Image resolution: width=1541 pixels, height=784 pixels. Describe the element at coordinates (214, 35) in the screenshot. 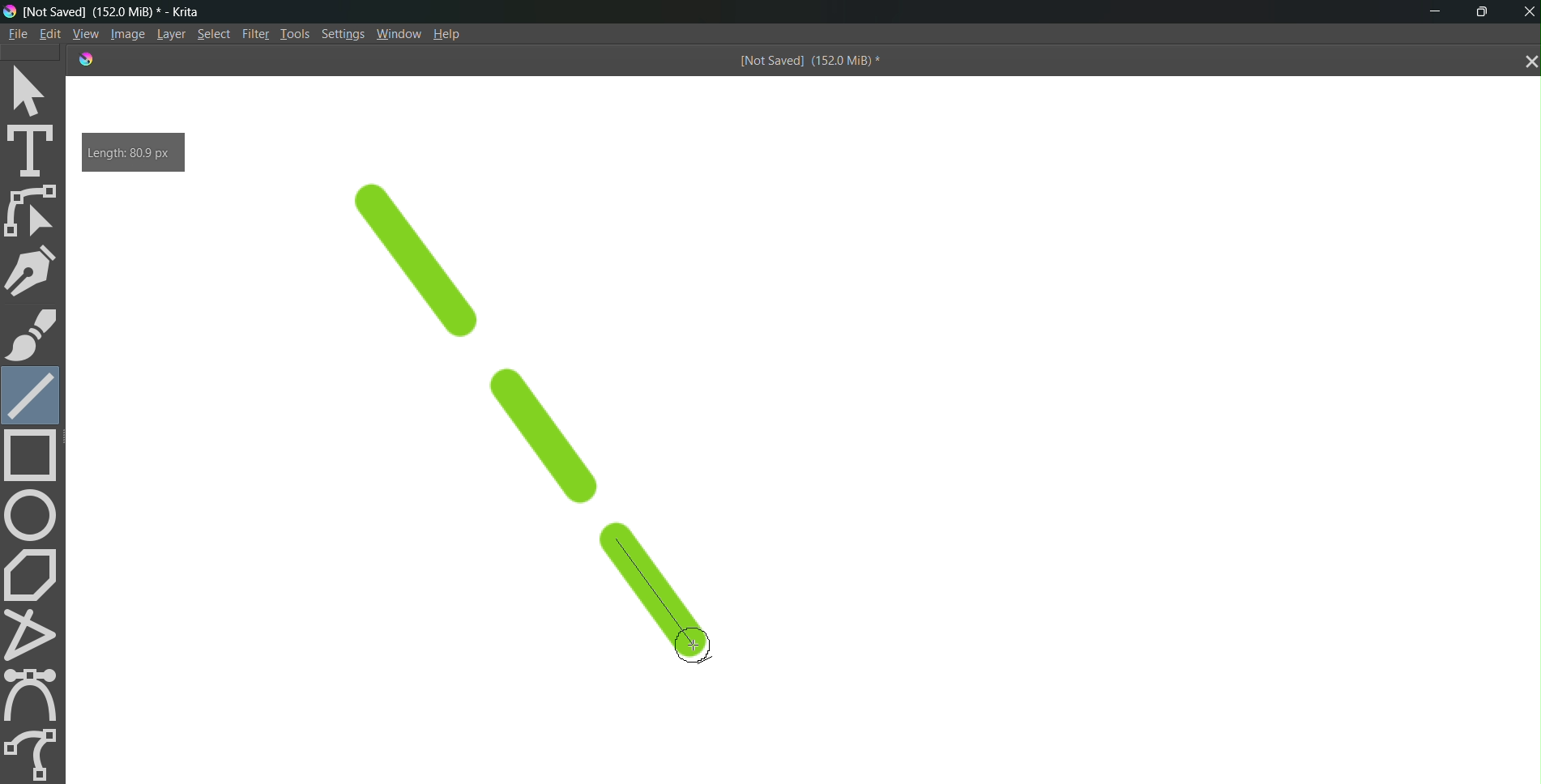

I see `Select` at that location.